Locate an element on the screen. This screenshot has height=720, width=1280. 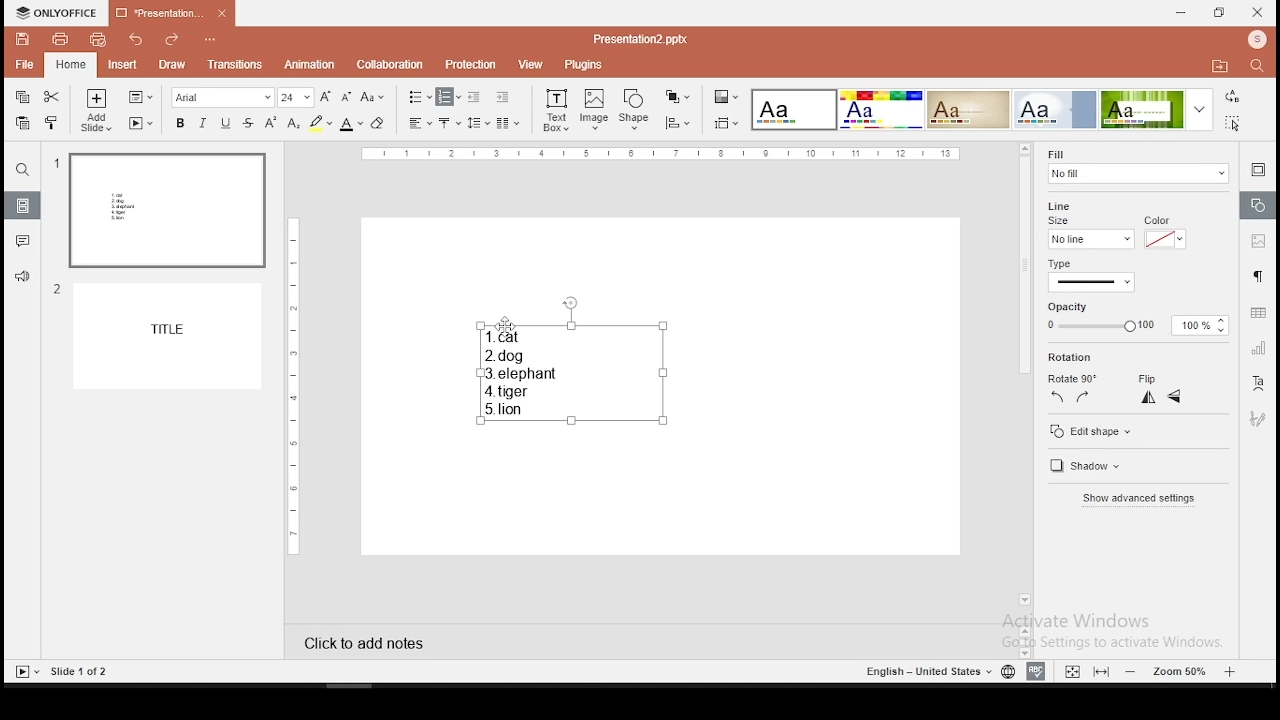
change case is located at coordinates (372, 96).